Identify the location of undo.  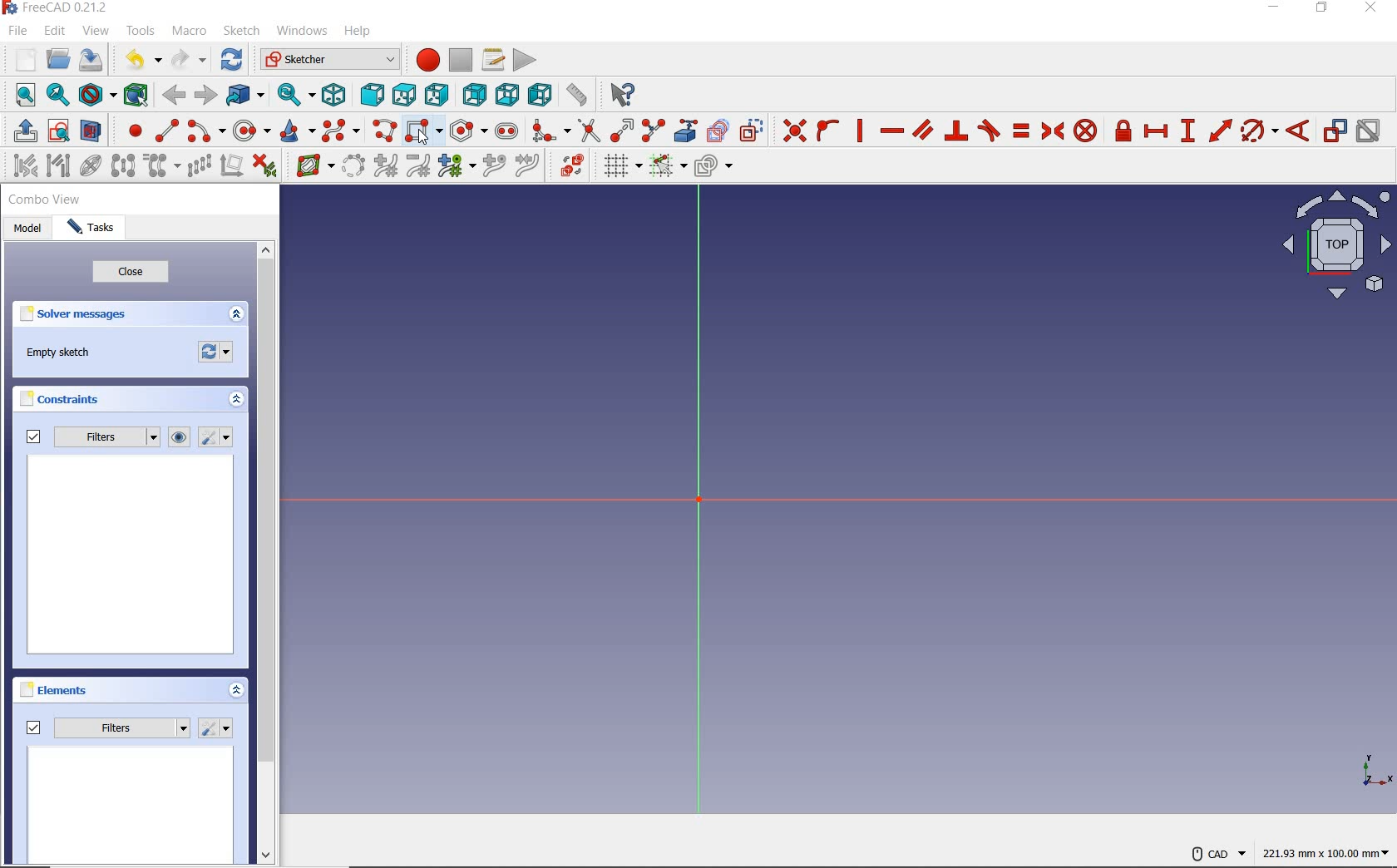
(144, 62).